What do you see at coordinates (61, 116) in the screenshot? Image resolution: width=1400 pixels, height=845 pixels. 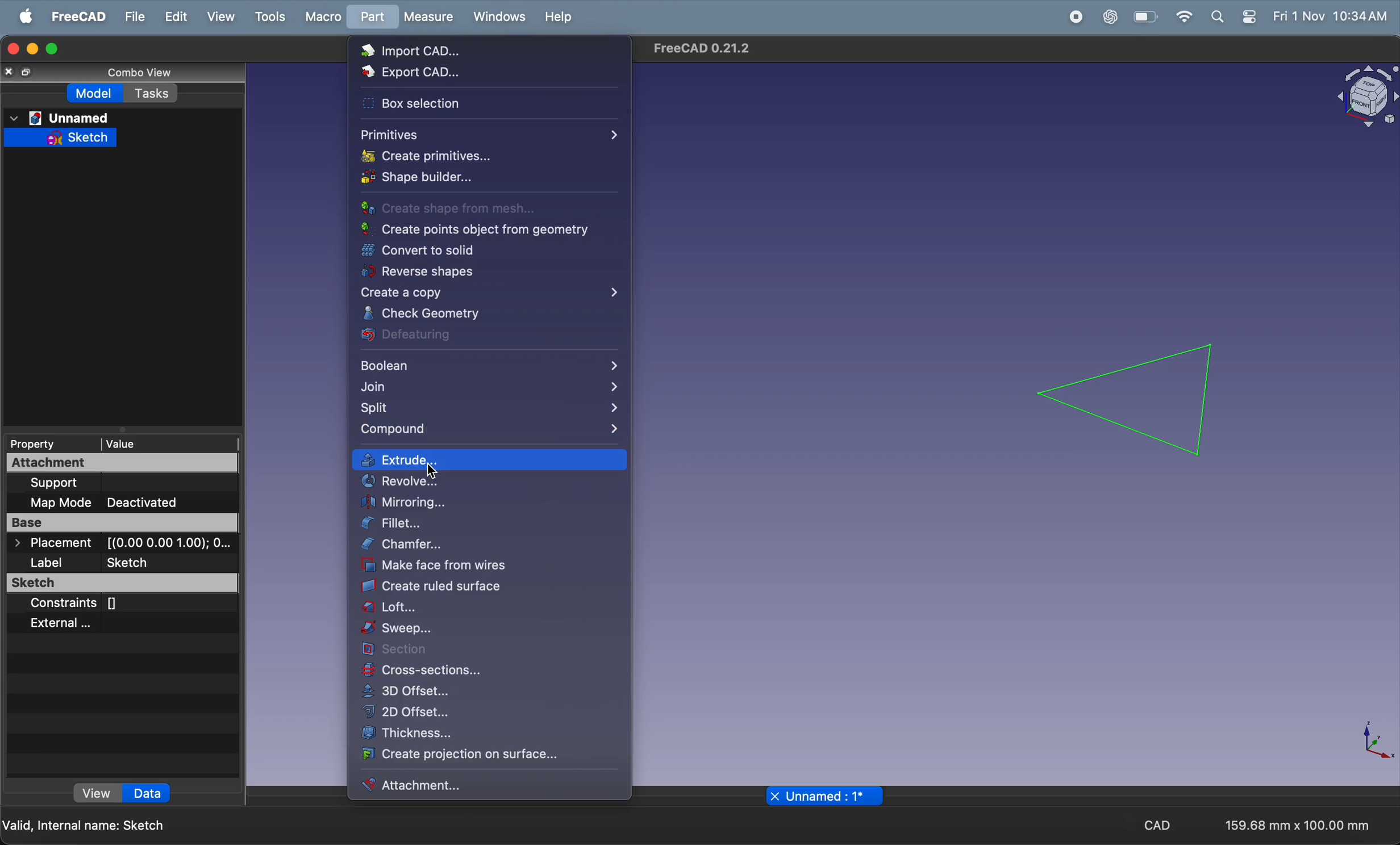 I see `unnamed` at bounding box center [61, 116].